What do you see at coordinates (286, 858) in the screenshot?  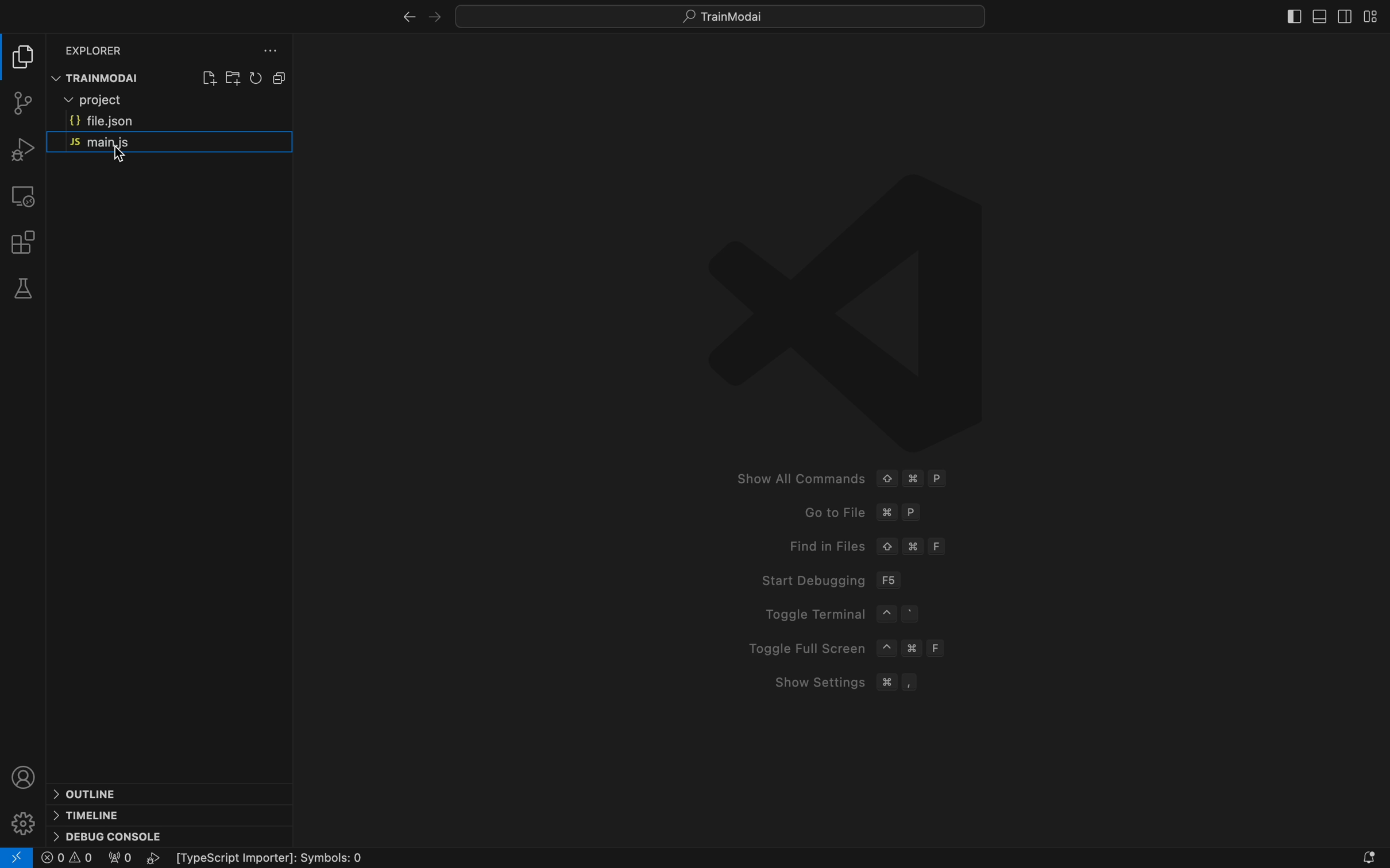 I see `Typescript` at bounding box center [286, 858].